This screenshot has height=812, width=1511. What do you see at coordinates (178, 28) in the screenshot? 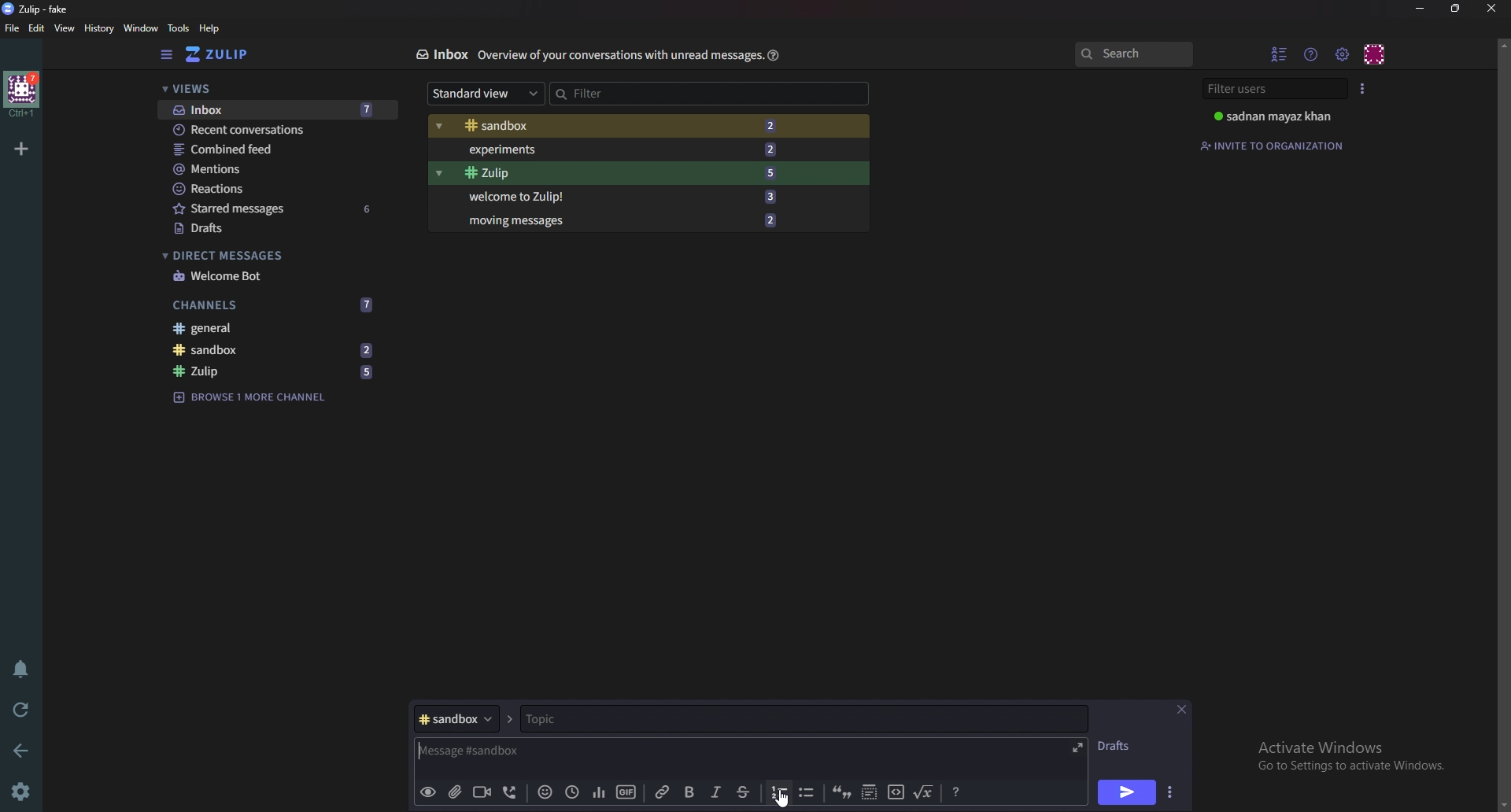
I see `Tools` at bounding box center [178, 28].